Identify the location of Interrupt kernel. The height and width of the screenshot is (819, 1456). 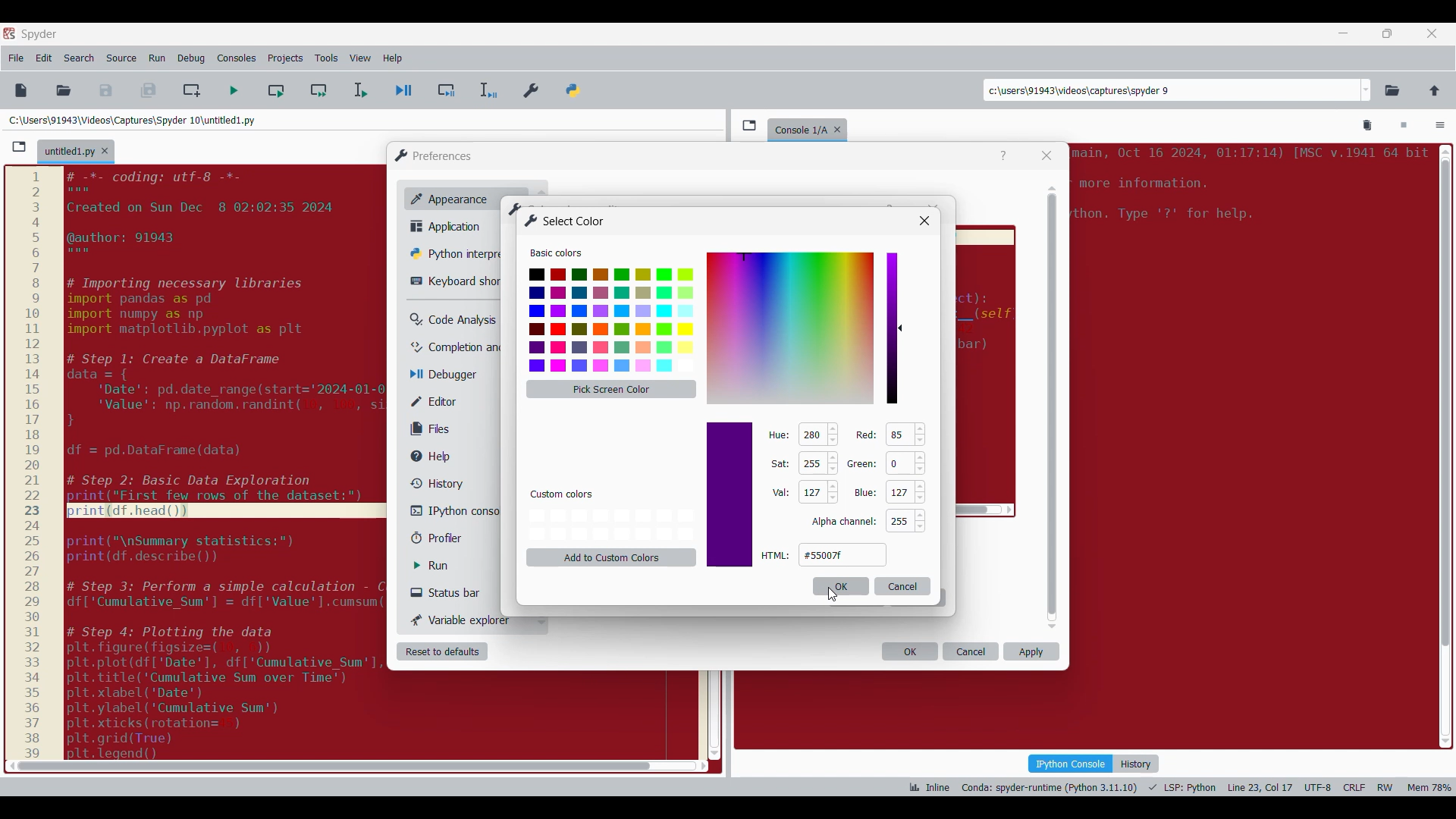
(1404, 126).